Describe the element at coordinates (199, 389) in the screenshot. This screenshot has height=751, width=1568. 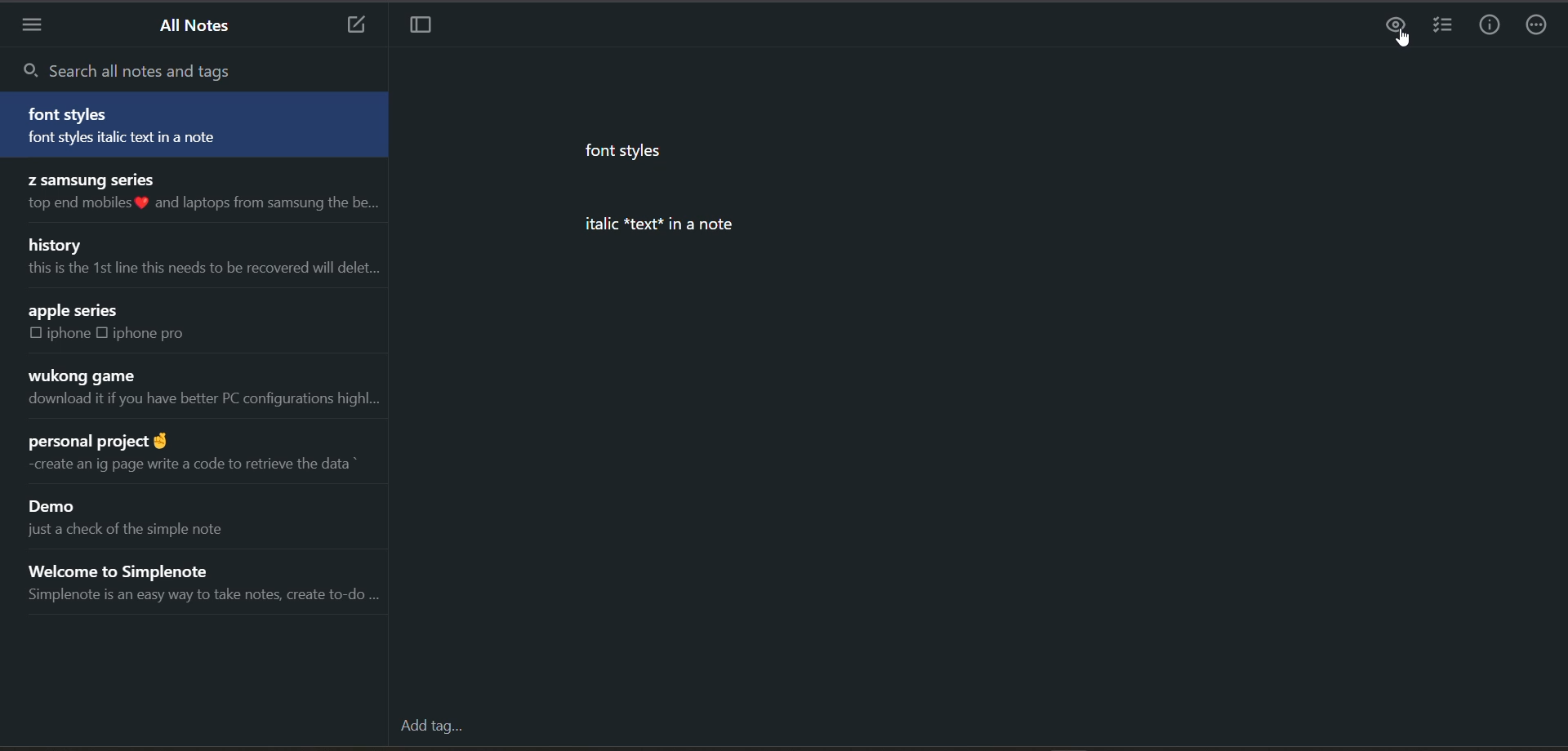
I see `note title and preview` at that location.